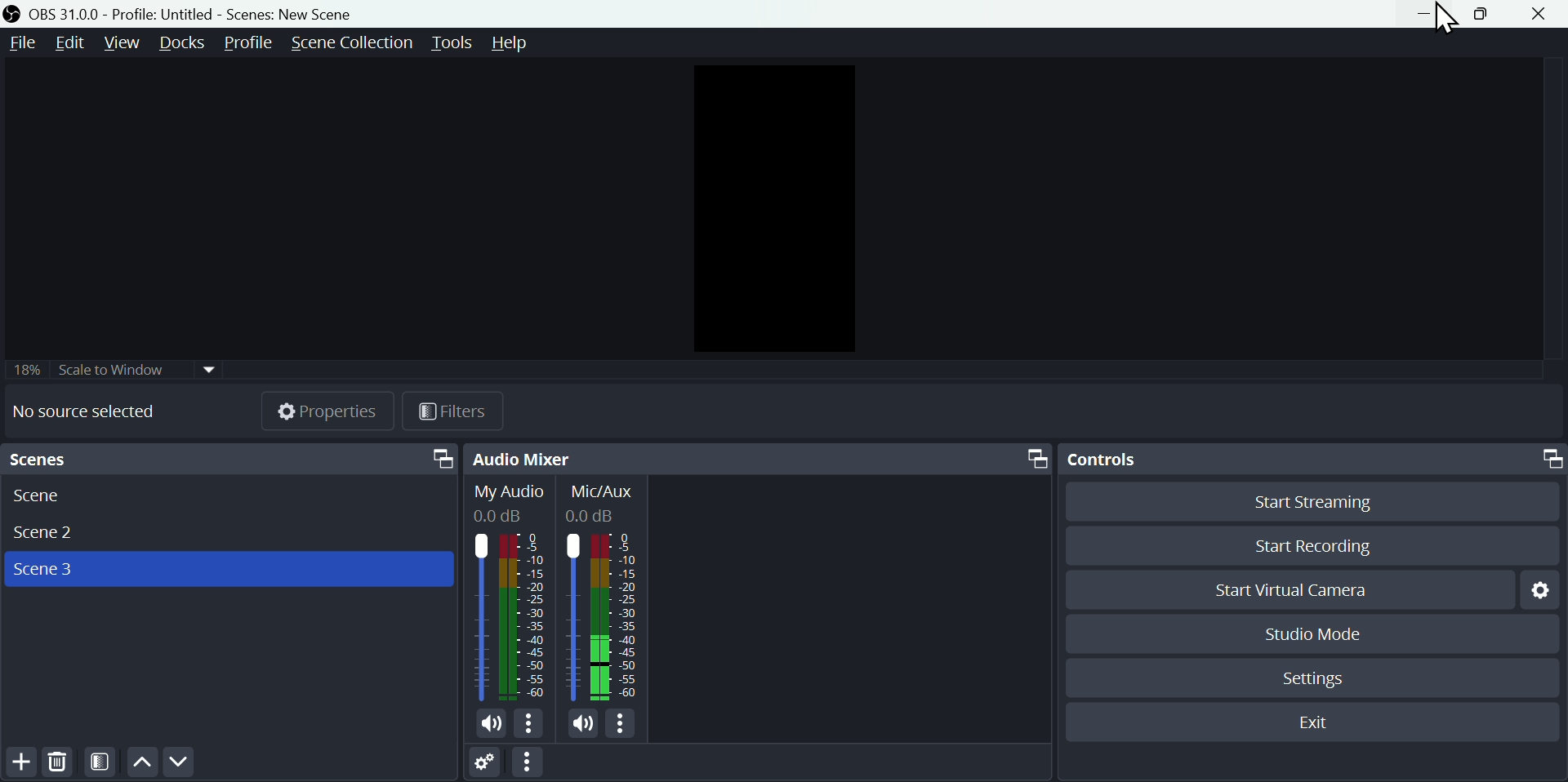 This screenshot has height=782, width=1568. Describe the element at coordinates (520, 43) in the screenshot. I see `Help` at that location.